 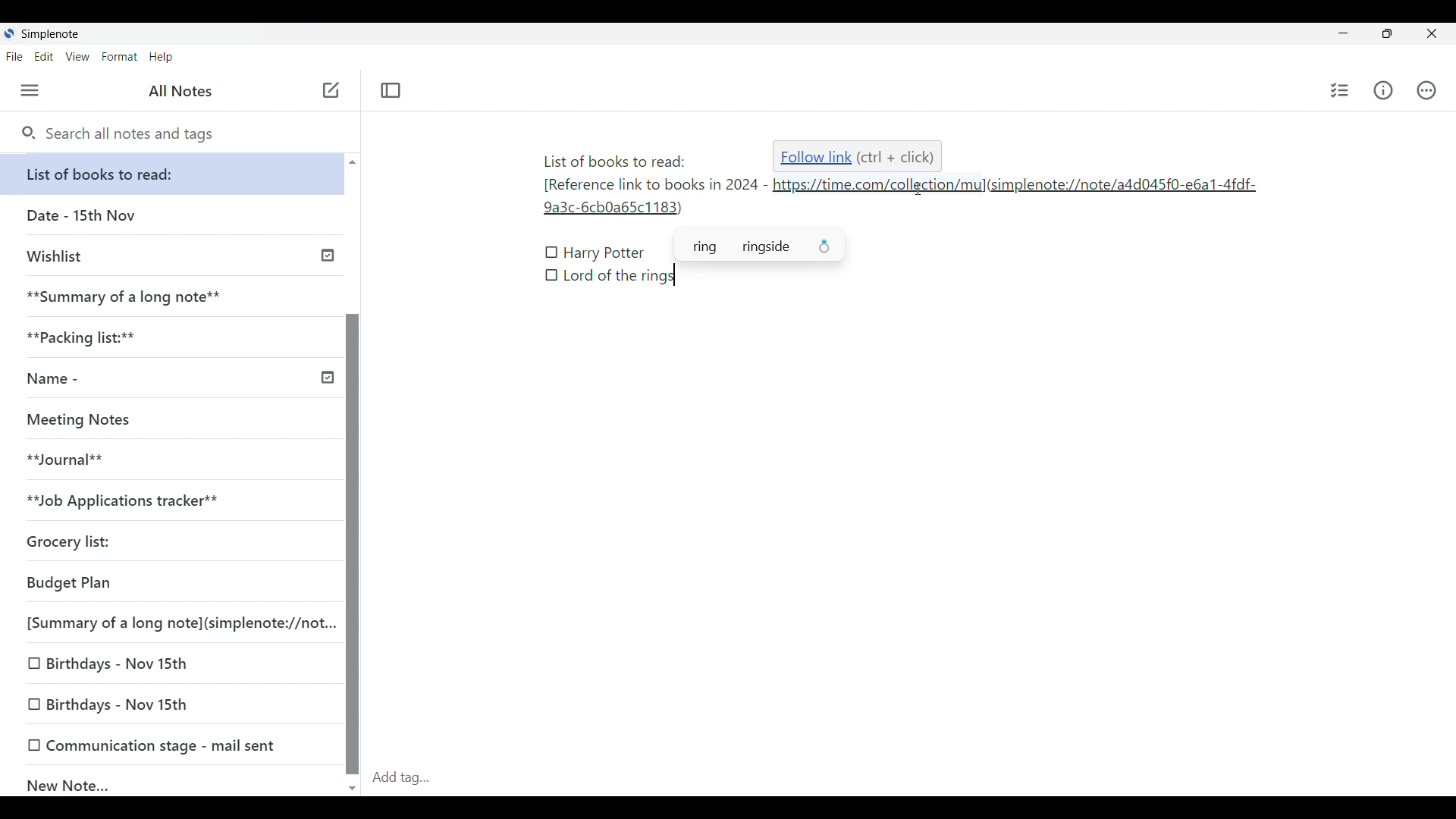 I want to click on Wishlist, so click(x=176, y=254).